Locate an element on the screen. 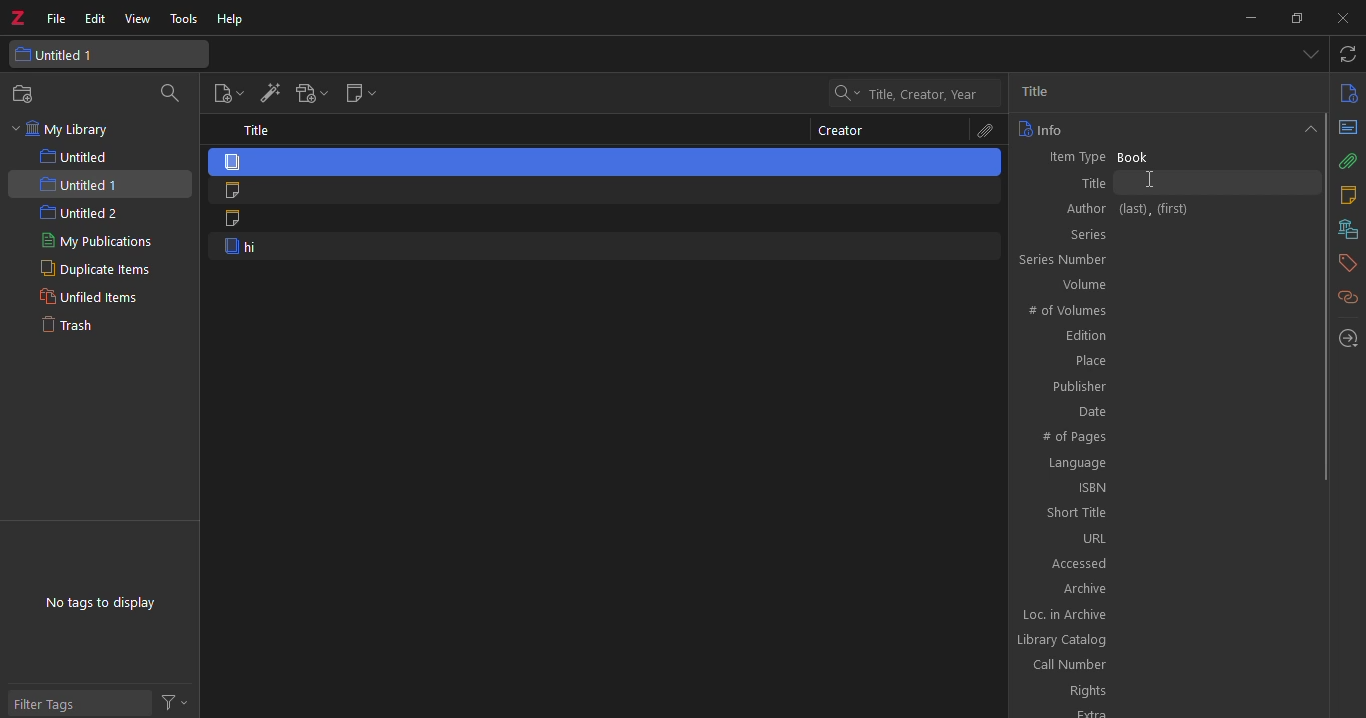 The image size is (1366, 718). accessed is located at coordinates (1162, 562).